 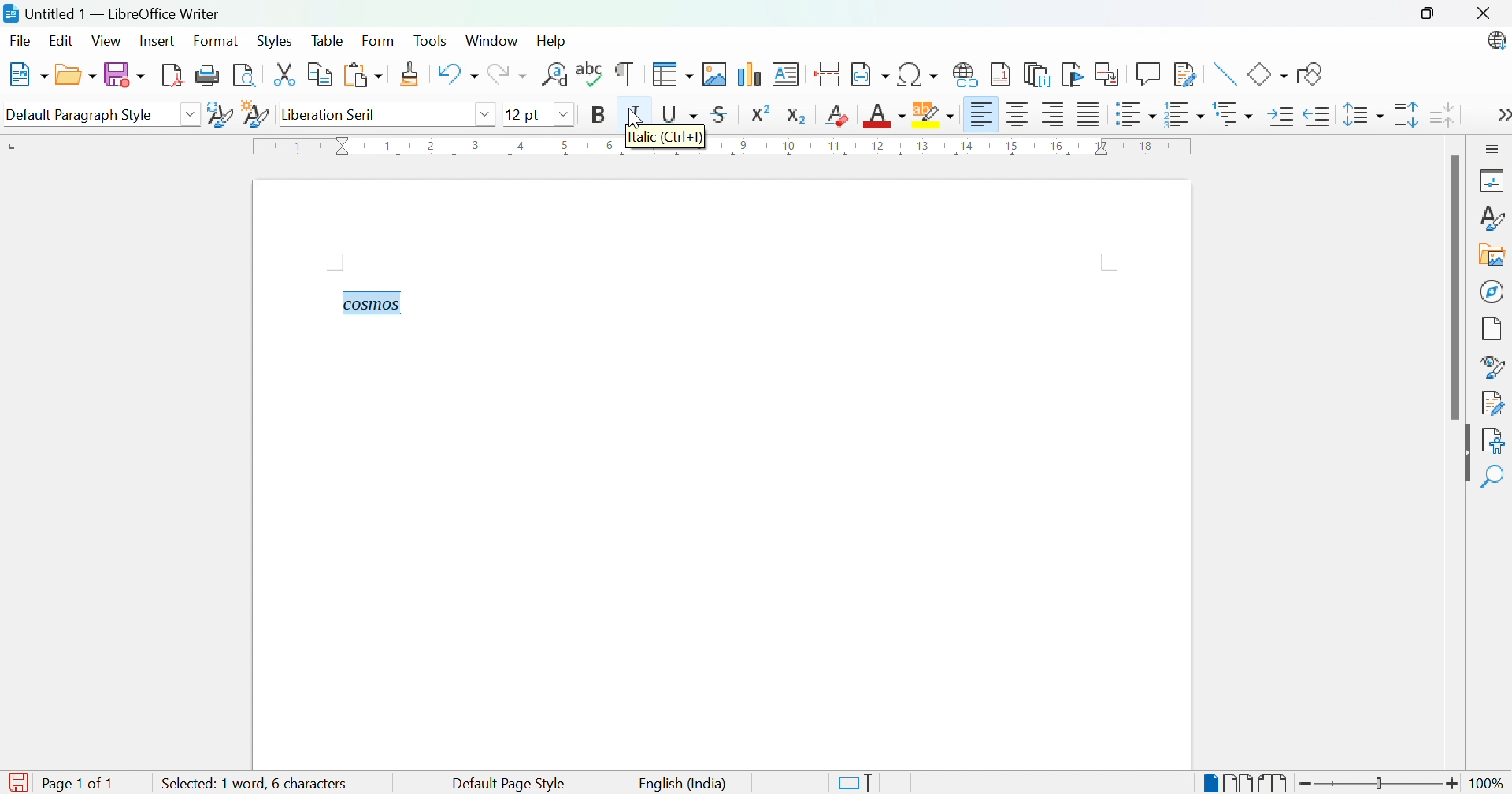 I want to click on Help, so click(x=555, y=43).